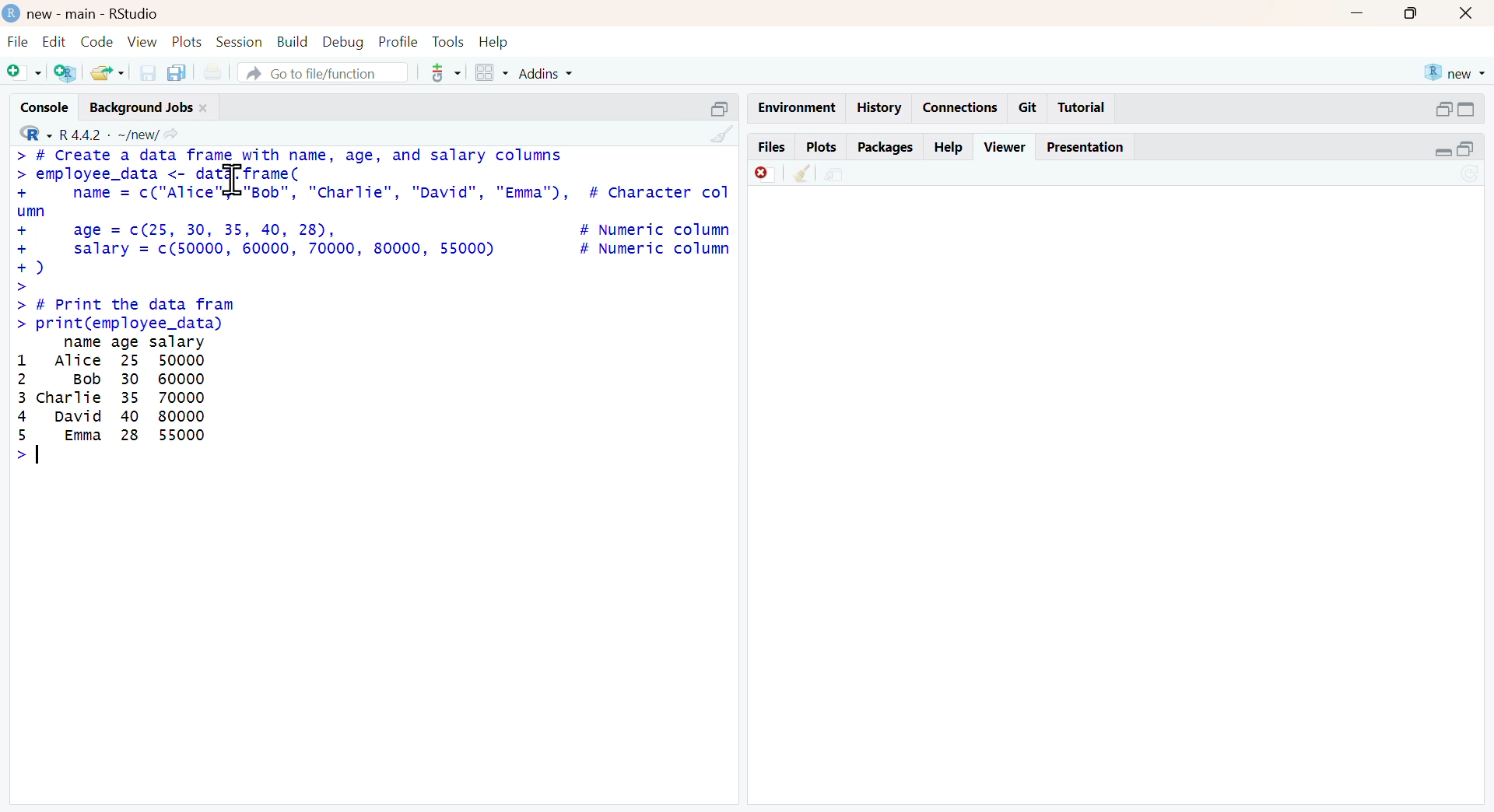  What do you see at coordinates (343, 42) in the screenshot?
I see `Debug` at bounding box center [343, 42].